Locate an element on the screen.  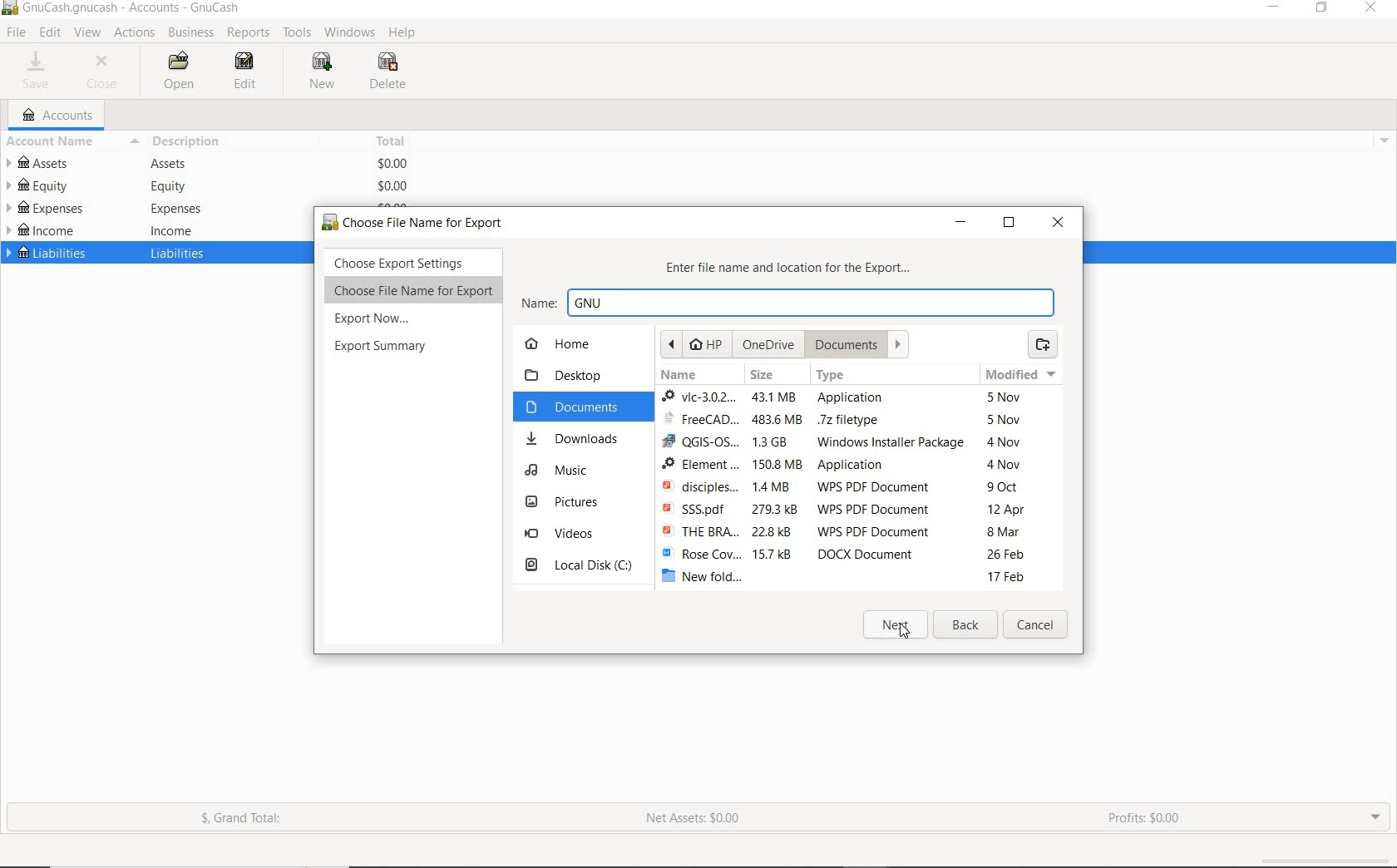
RESTORE DOWN is located at coordinates (1321, 9).